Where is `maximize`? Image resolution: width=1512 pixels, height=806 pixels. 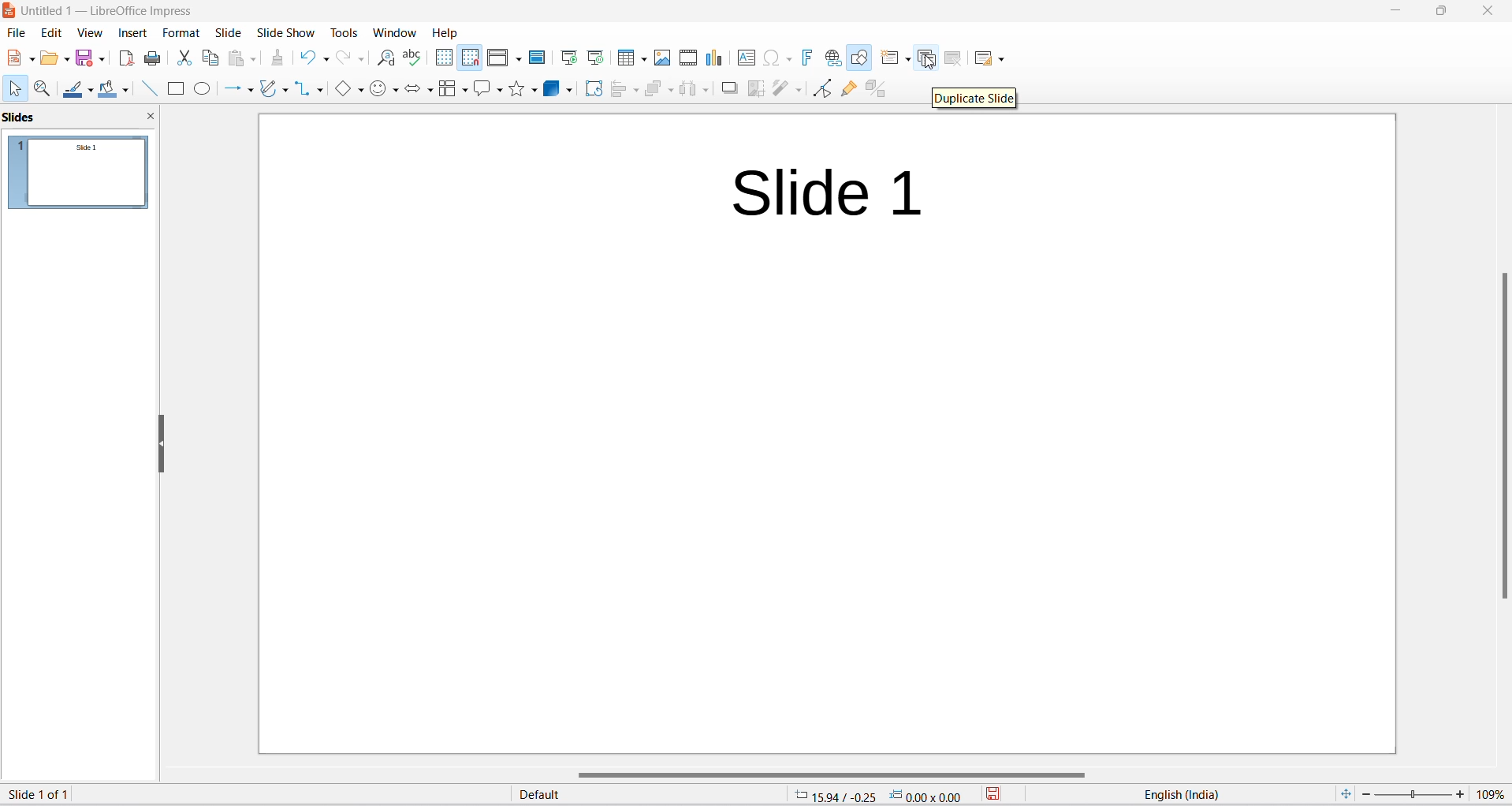 maximize is located at coordinates (1441, 11).